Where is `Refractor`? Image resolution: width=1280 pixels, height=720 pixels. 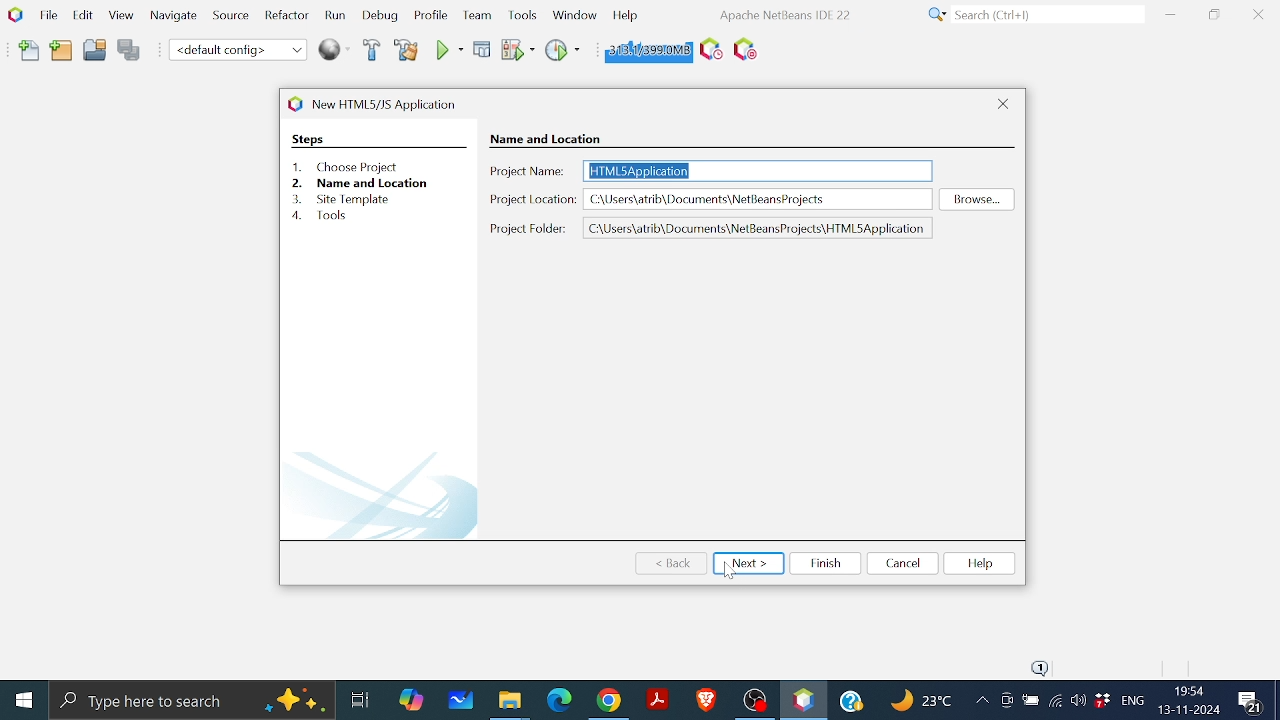 Refractor is located at coordinates (282, 16).